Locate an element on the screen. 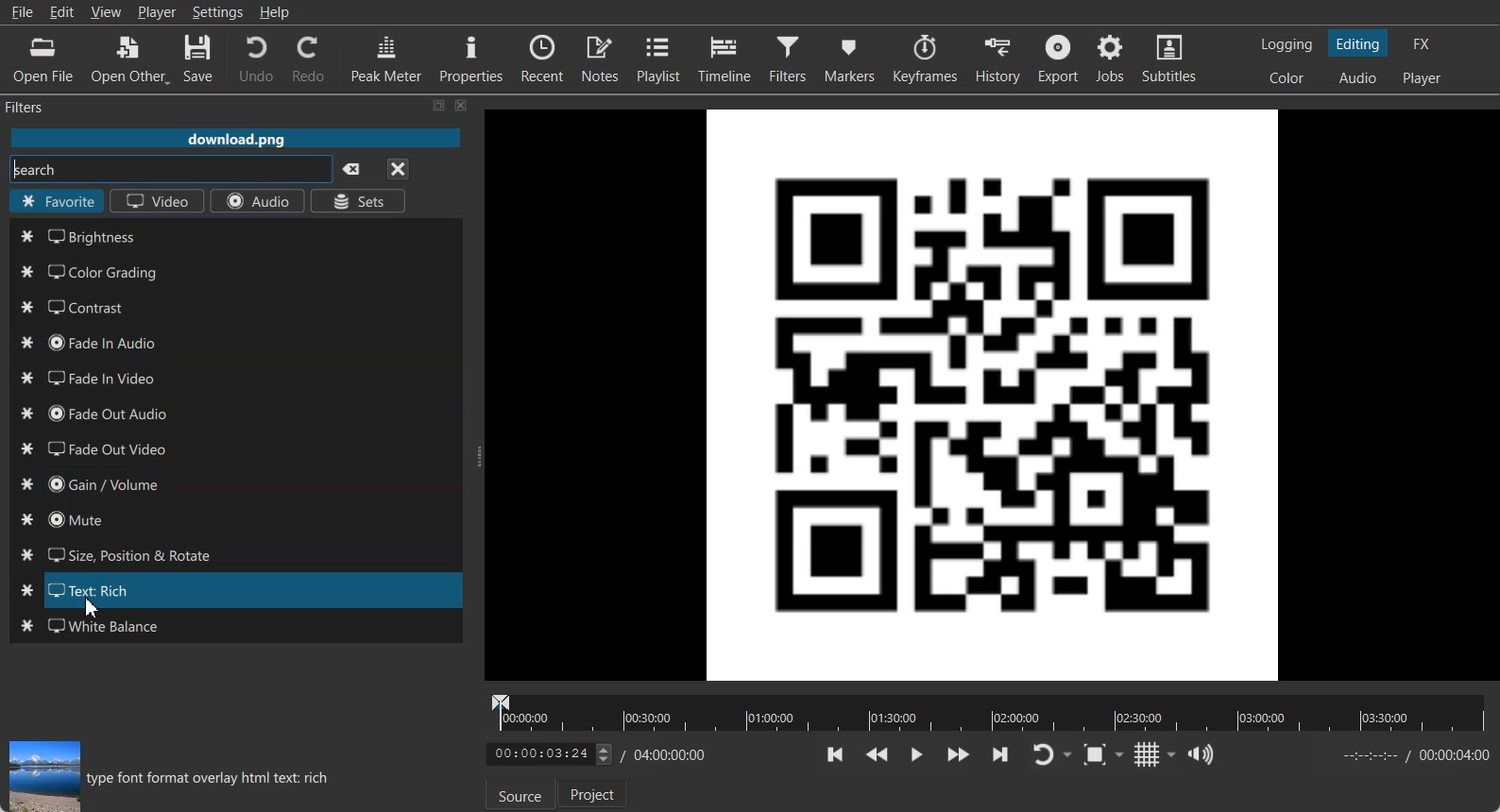  Properties is located at coordinates (471, 57).